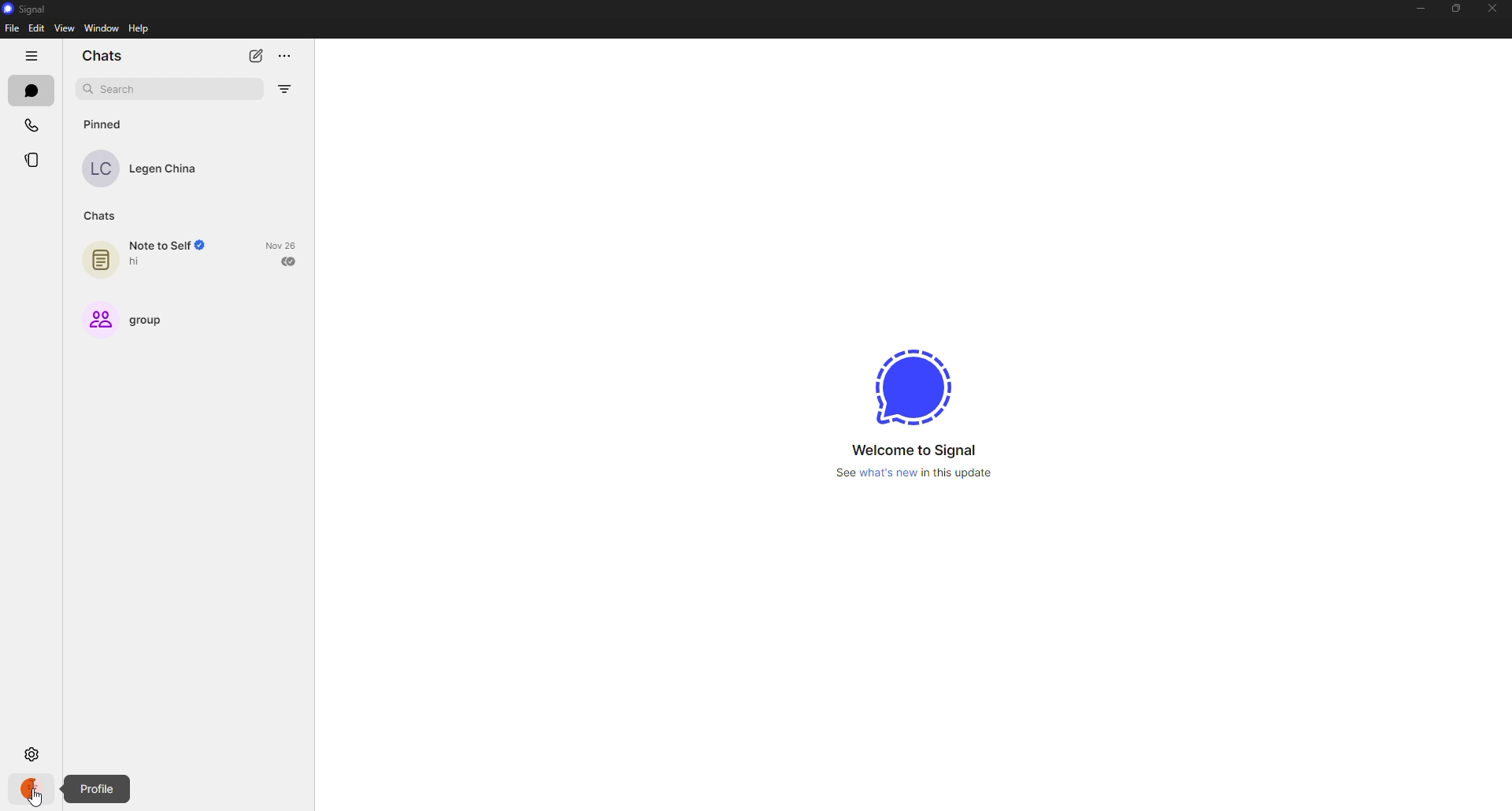 The image size is (1512, 811). I want to click on filter, so click(283, 89).